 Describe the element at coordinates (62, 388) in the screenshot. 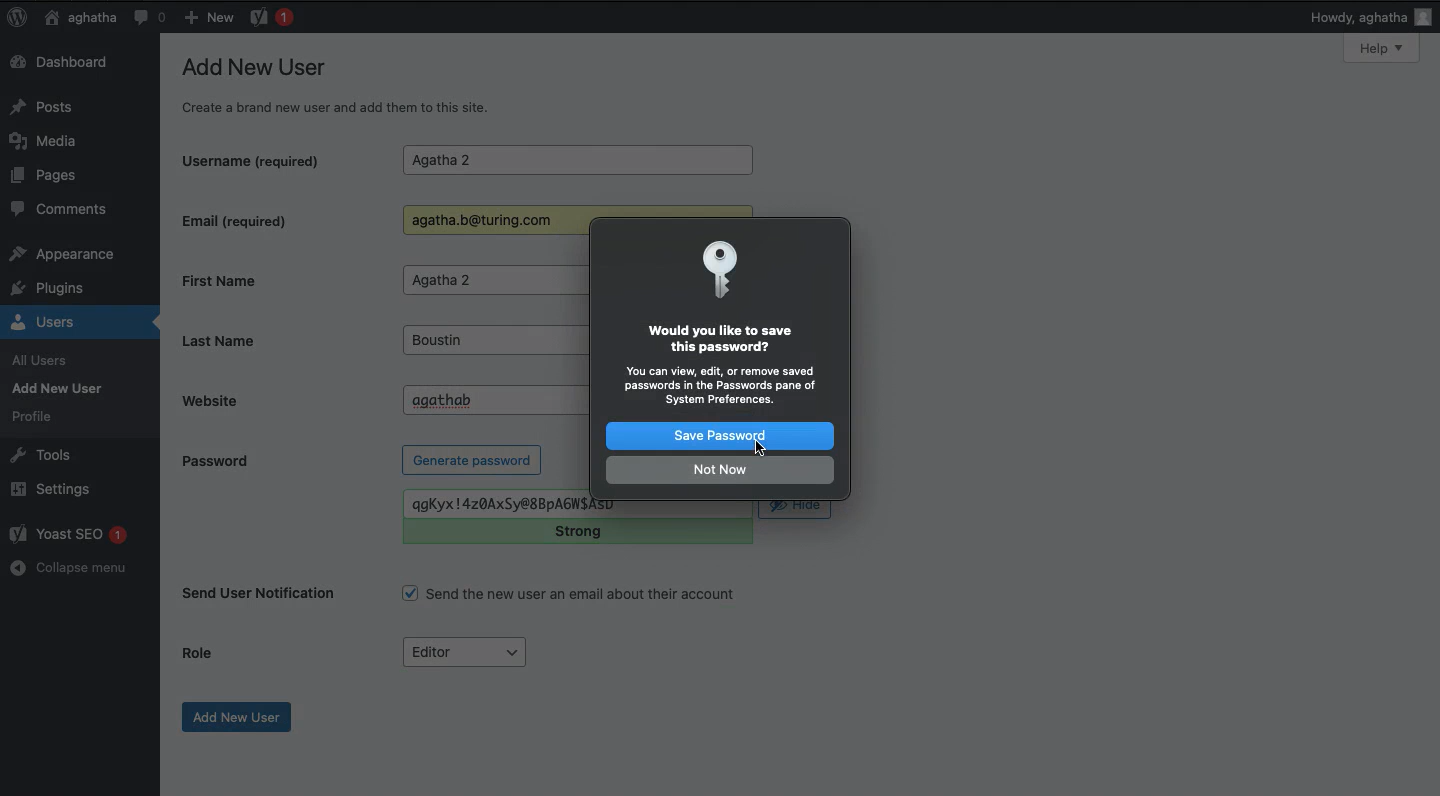

I see `Add New User` at that location.